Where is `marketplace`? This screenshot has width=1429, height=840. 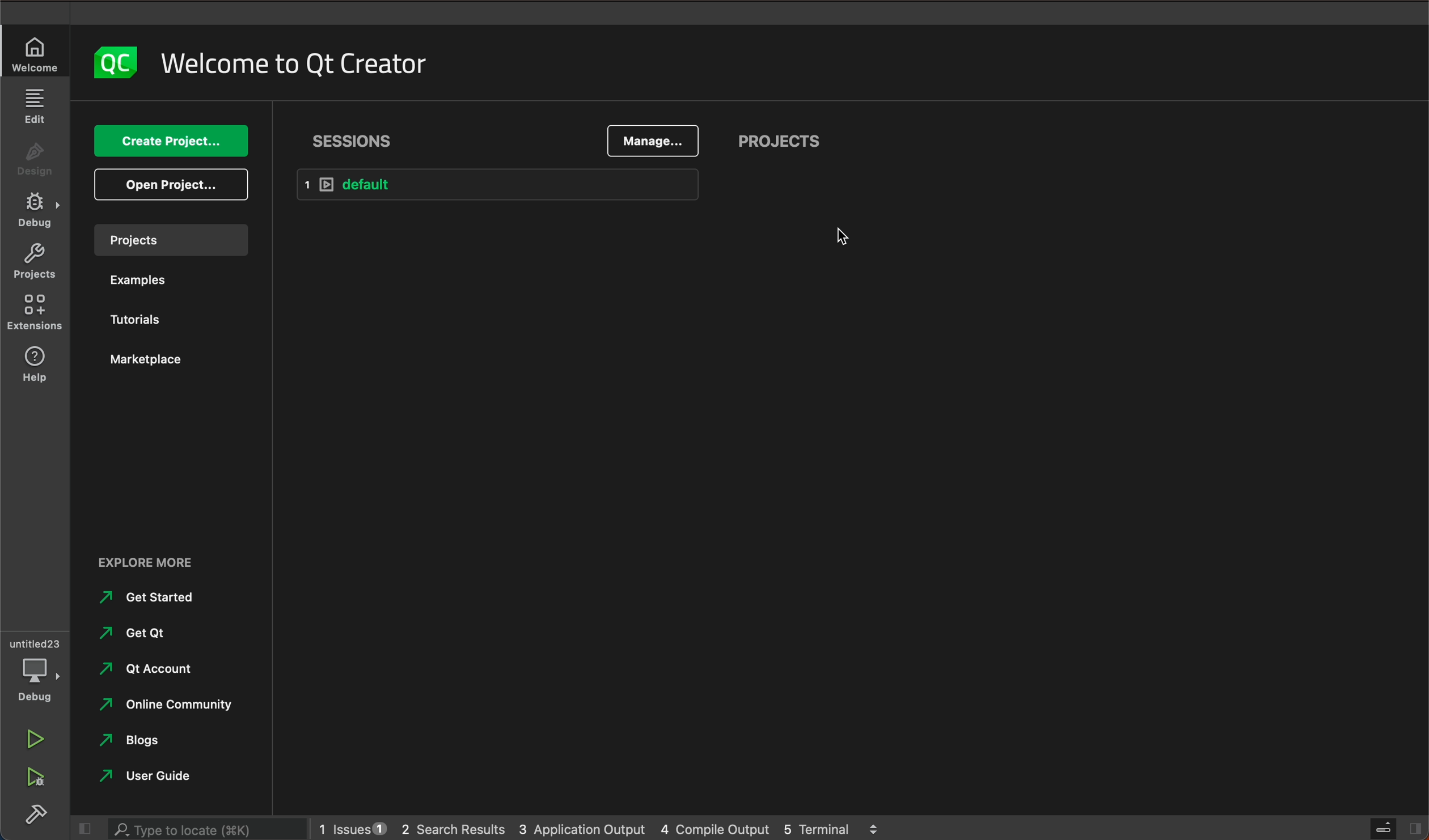 marketplace is located at coordinates (145, 360).